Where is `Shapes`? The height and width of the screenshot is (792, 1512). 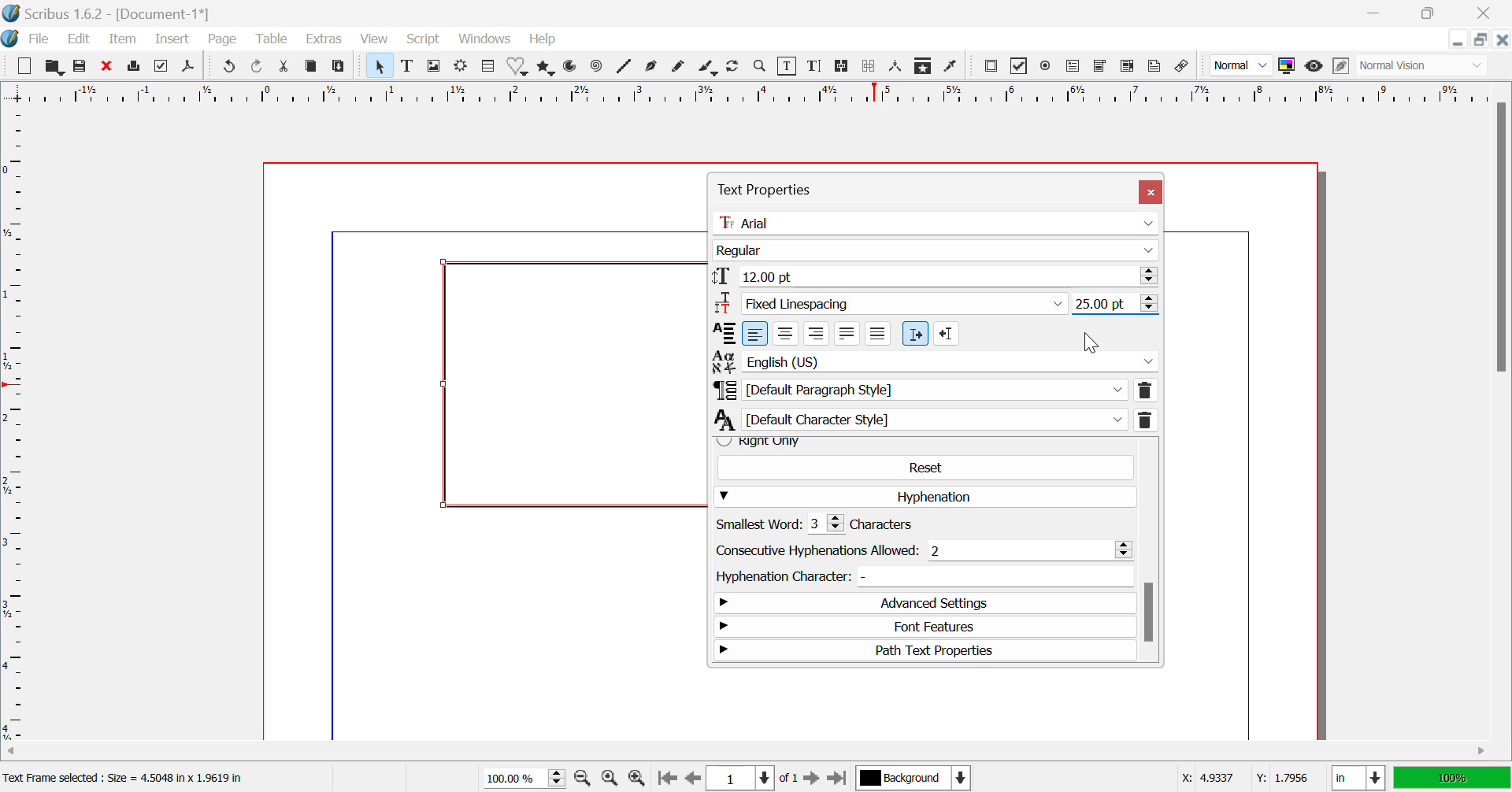 Shapes is located at coordinates (520, 68).